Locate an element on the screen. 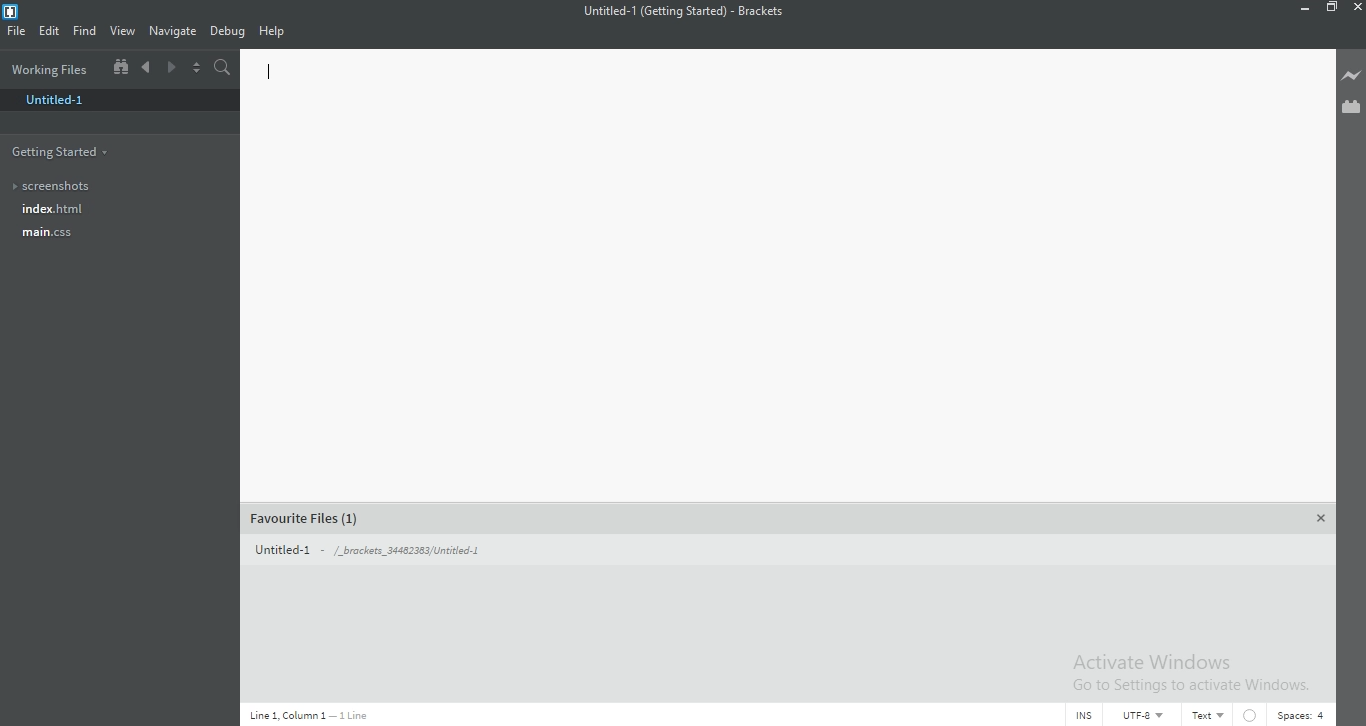 This screenshot has height=726, width=1366. Brackets is located at coordinates (764, 12).